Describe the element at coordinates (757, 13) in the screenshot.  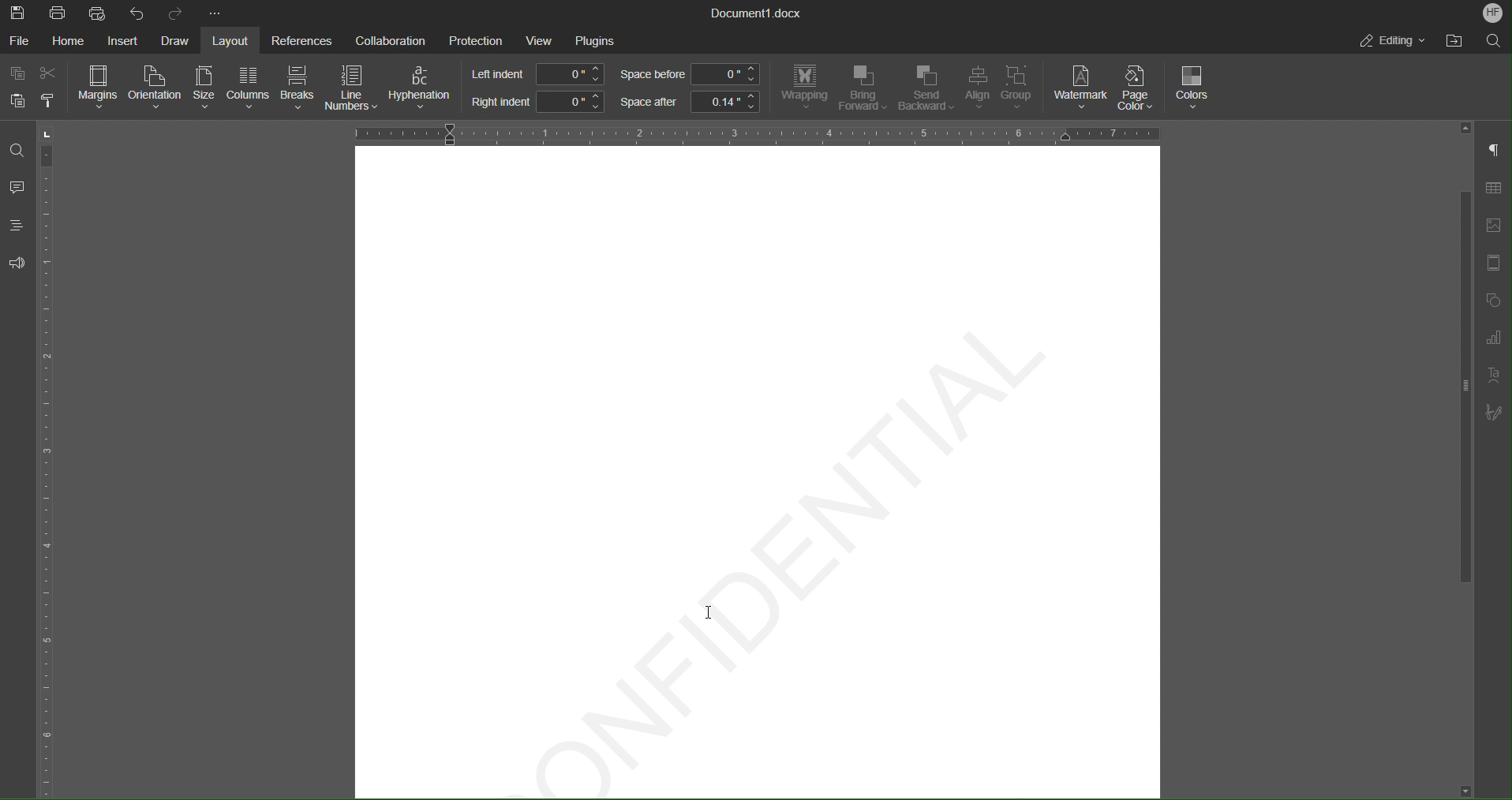
I see `Document Title` at that location.